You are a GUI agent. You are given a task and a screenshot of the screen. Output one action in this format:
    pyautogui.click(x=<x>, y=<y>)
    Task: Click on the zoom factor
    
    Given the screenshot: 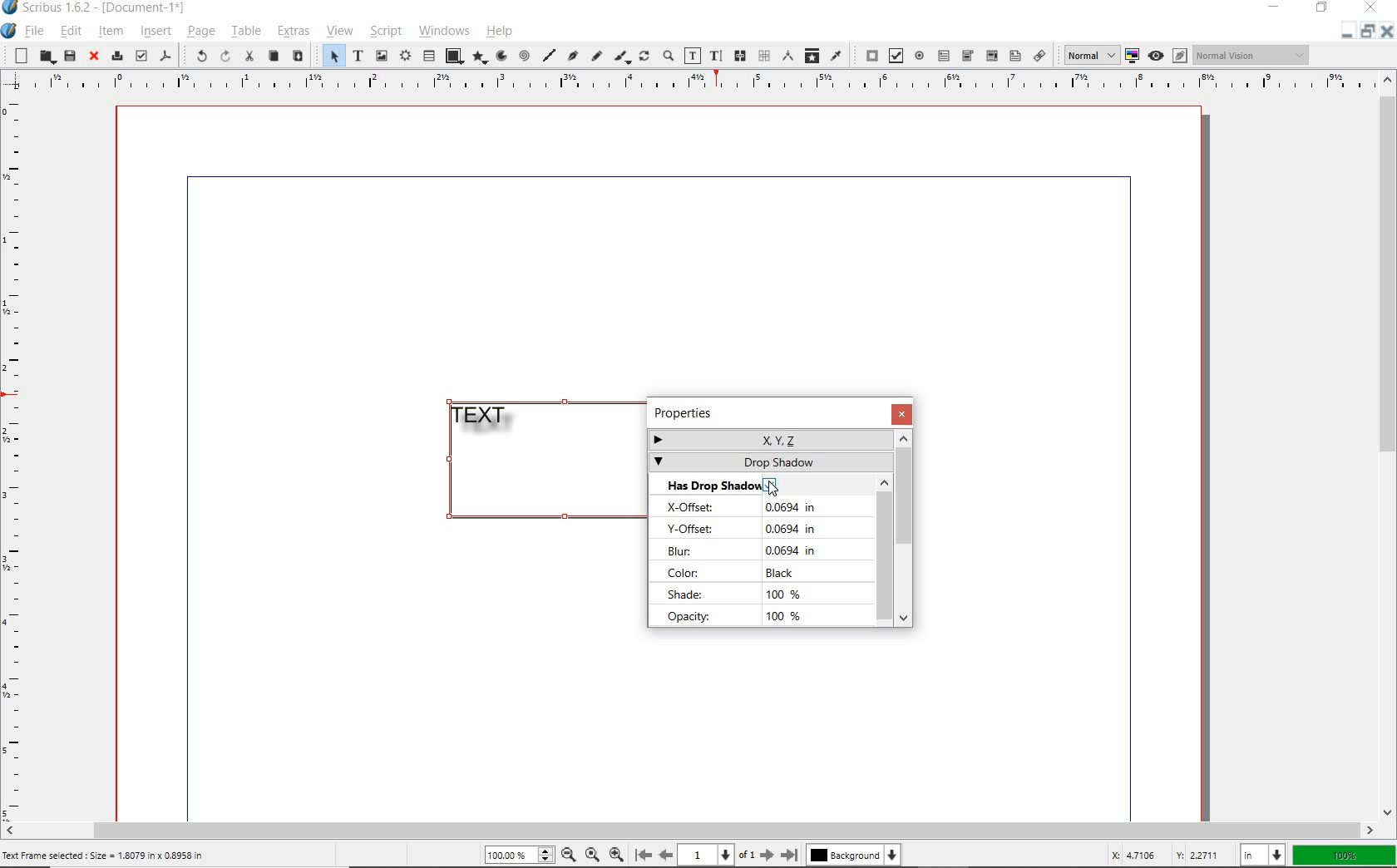 What is the action you would take?
    pyautogui.click(x=1345, y=855)
    